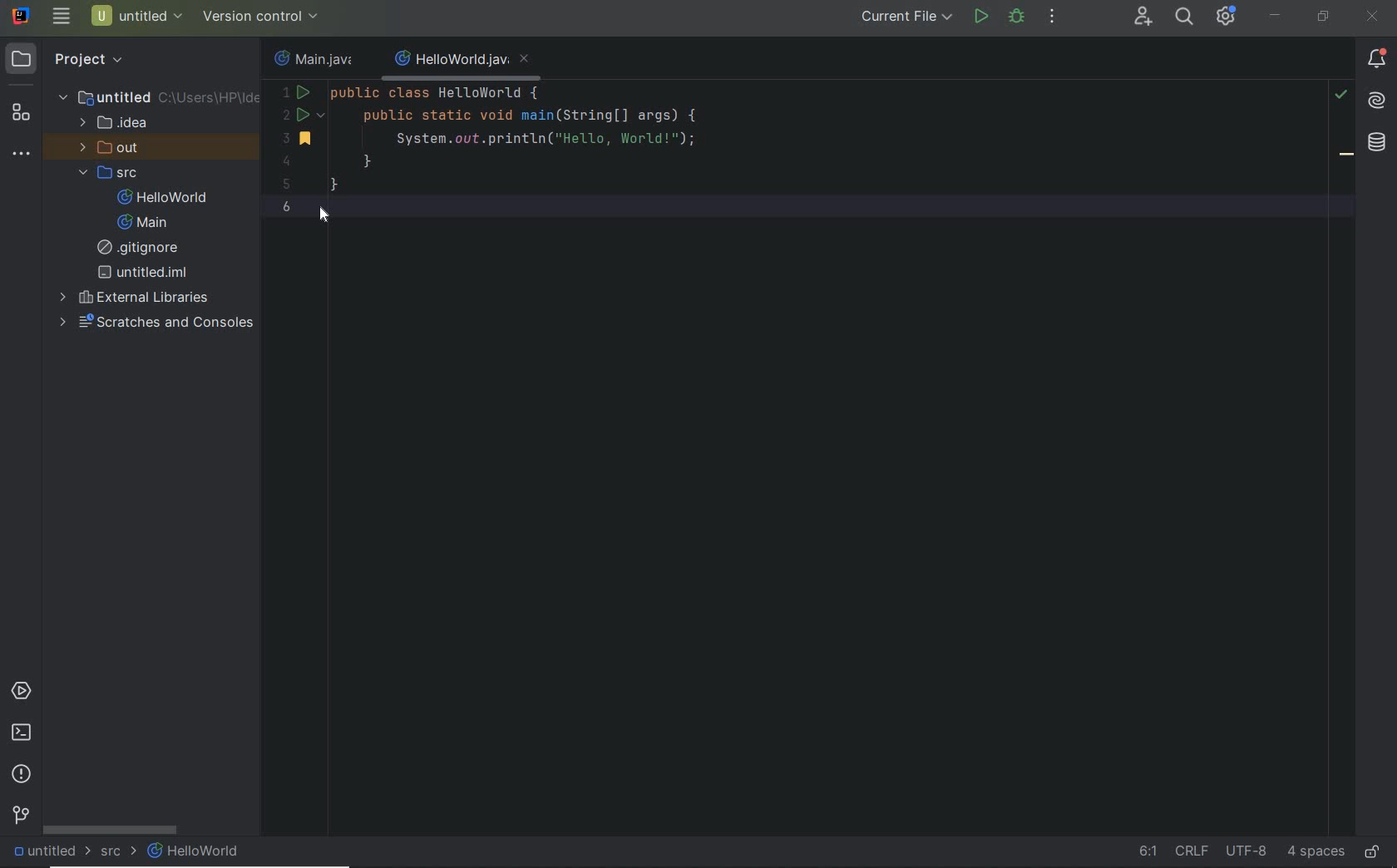 The height and width of the screenshot is (868, 1397). Describe the element at coordinates (119, 851) in the screenshot. I see `src` at that location.